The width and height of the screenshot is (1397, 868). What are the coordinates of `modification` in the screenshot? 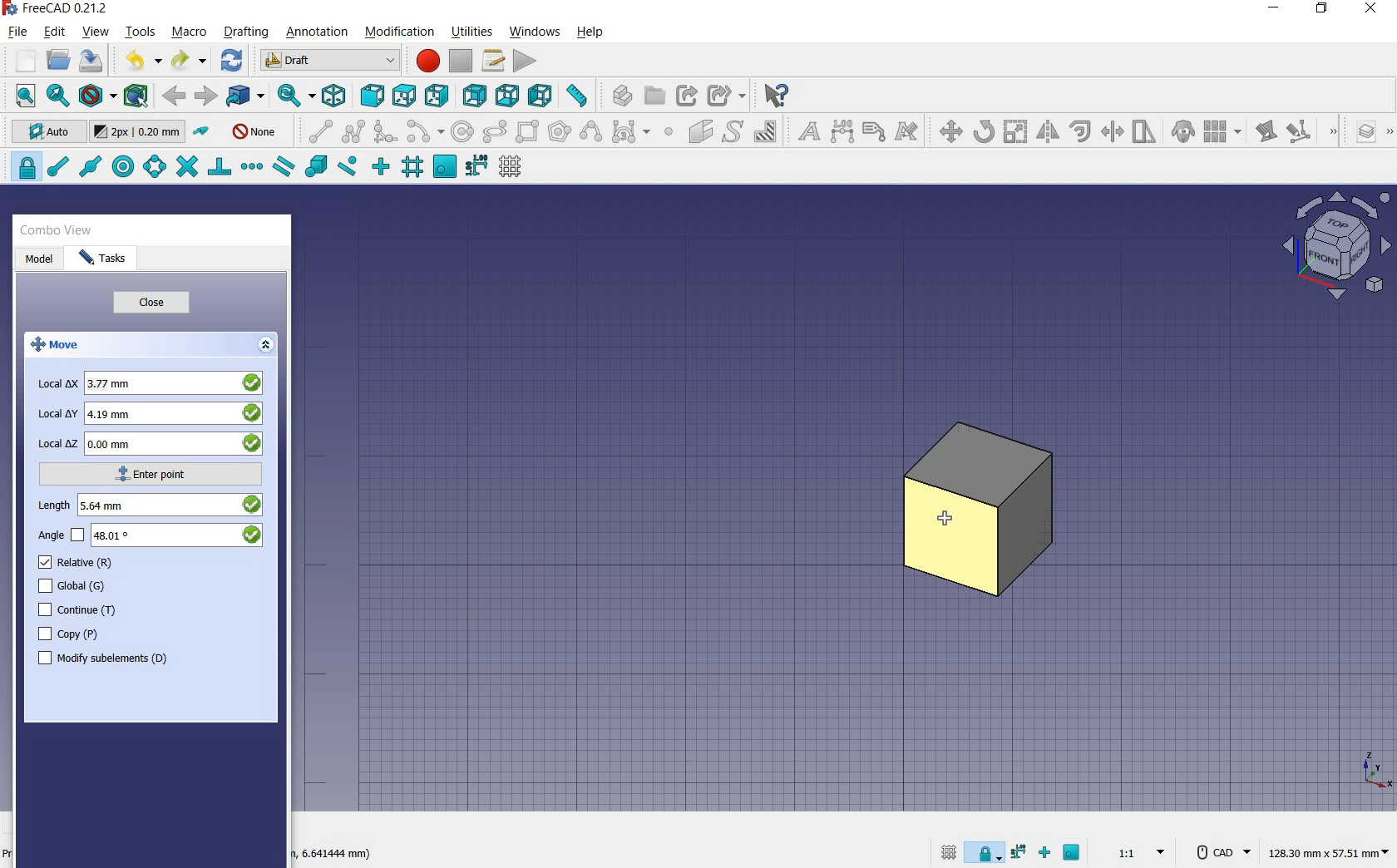 It's located at (400, 32).